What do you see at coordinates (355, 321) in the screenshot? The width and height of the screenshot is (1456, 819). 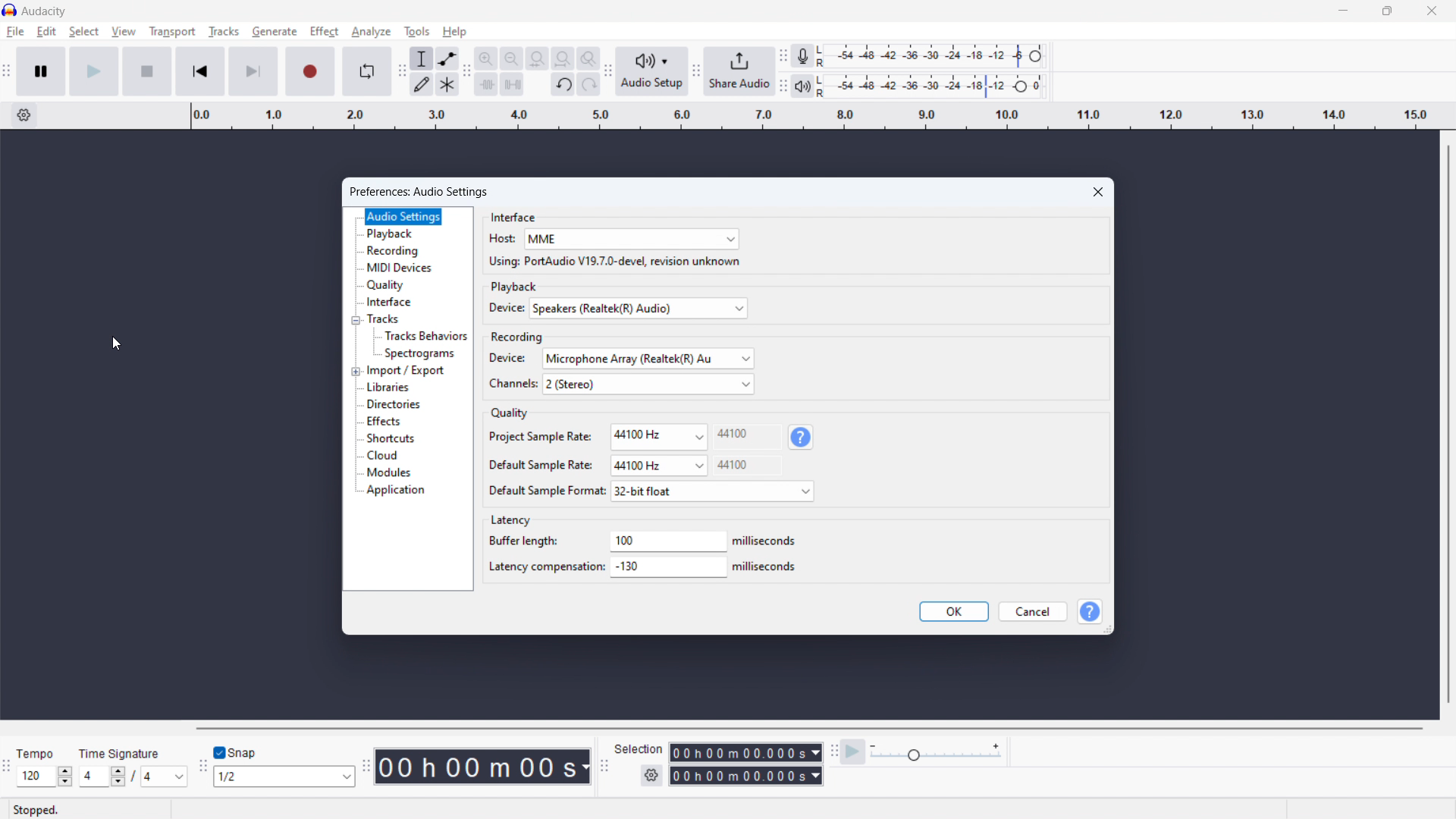 I see `collapse` at bounding box center [355, 321].